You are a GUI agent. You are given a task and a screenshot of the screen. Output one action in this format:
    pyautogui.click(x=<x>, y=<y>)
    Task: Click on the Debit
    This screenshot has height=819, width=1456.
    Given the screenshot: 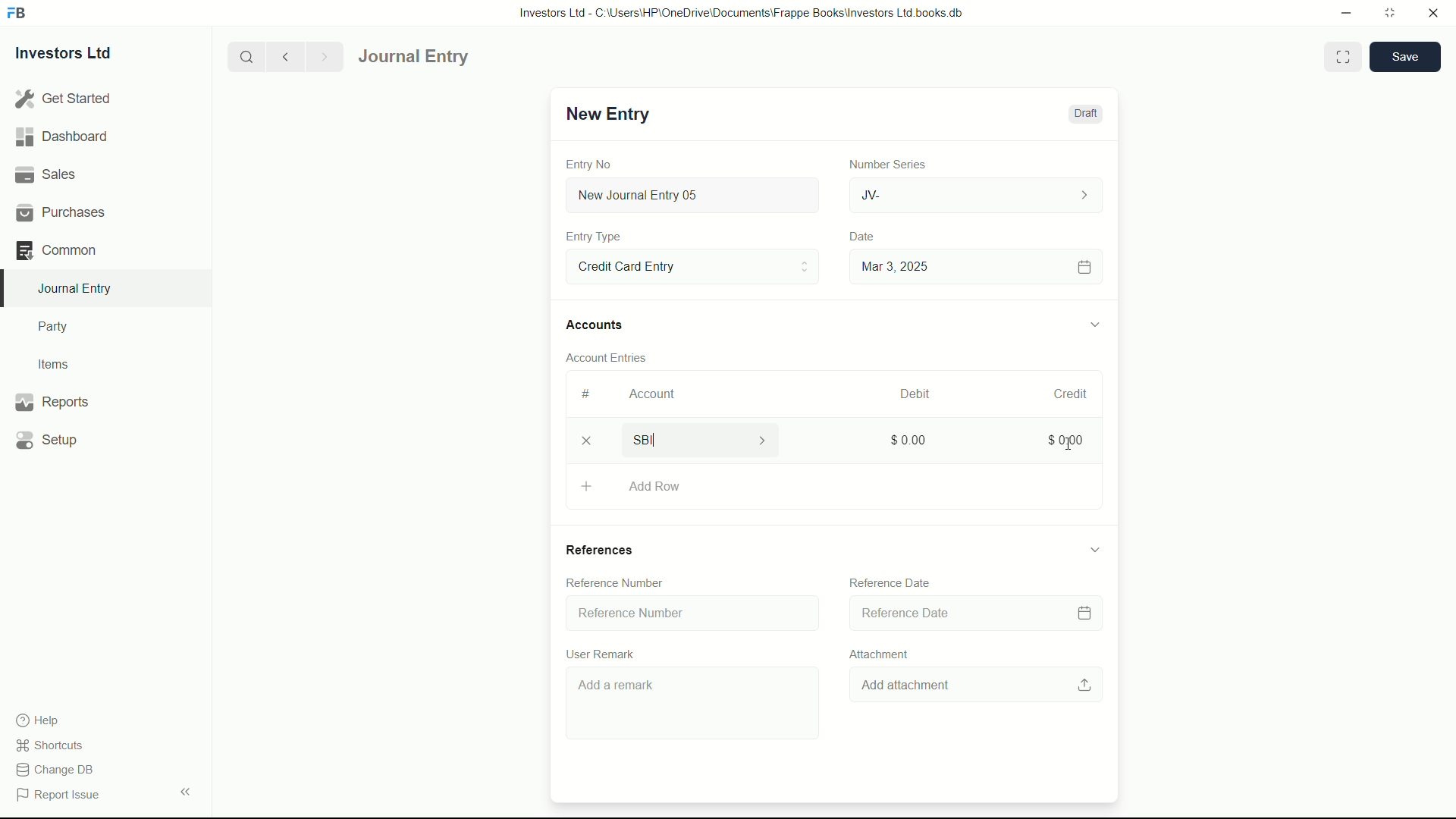 What is the action you would take?
    pyautogui.click(x=908, y=394)
    